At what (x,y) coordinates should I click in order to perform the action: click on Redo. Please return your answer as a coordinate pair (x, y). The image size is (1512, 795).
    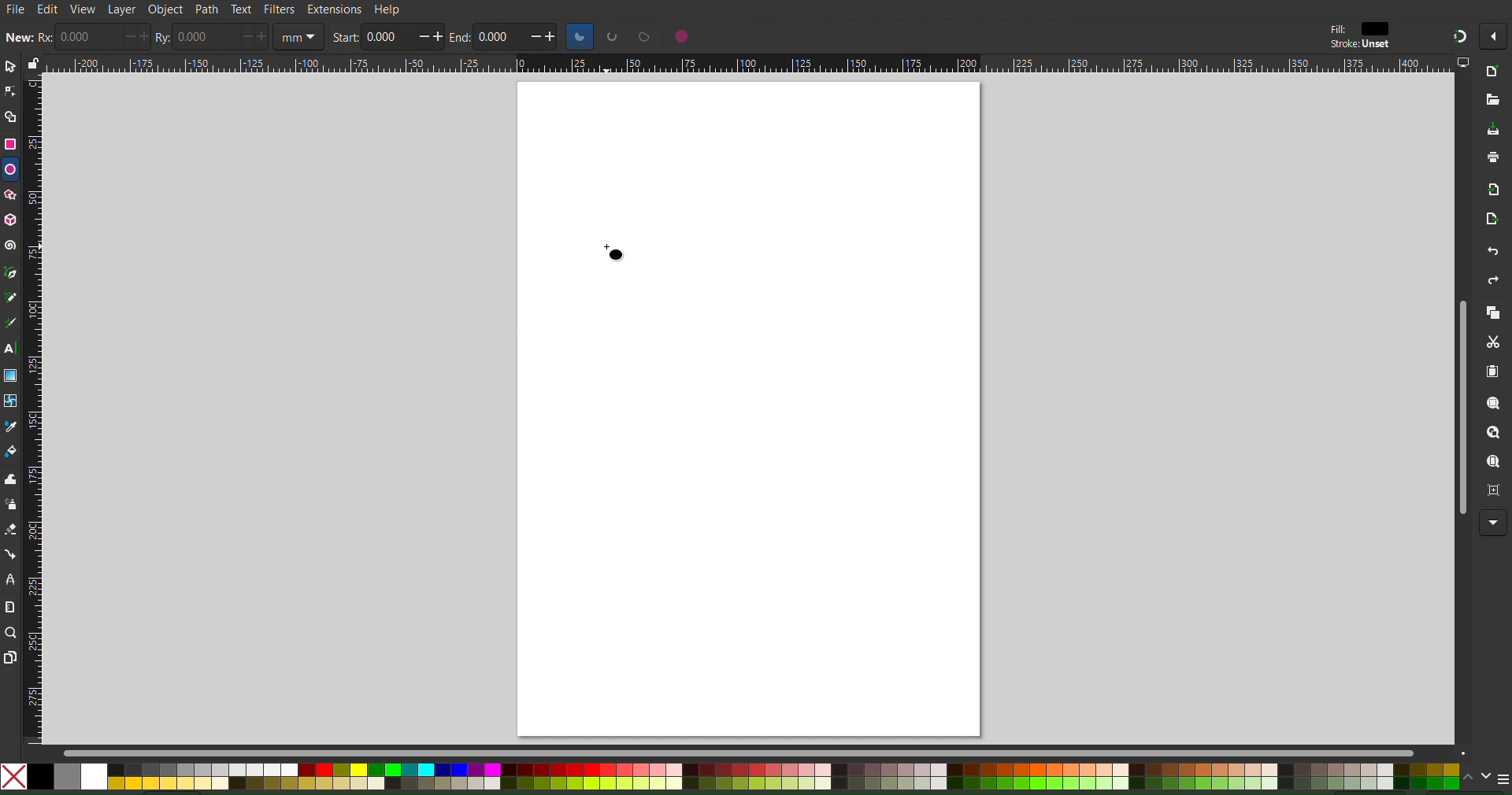
    Looking at the image, I should click on (1493, 280).